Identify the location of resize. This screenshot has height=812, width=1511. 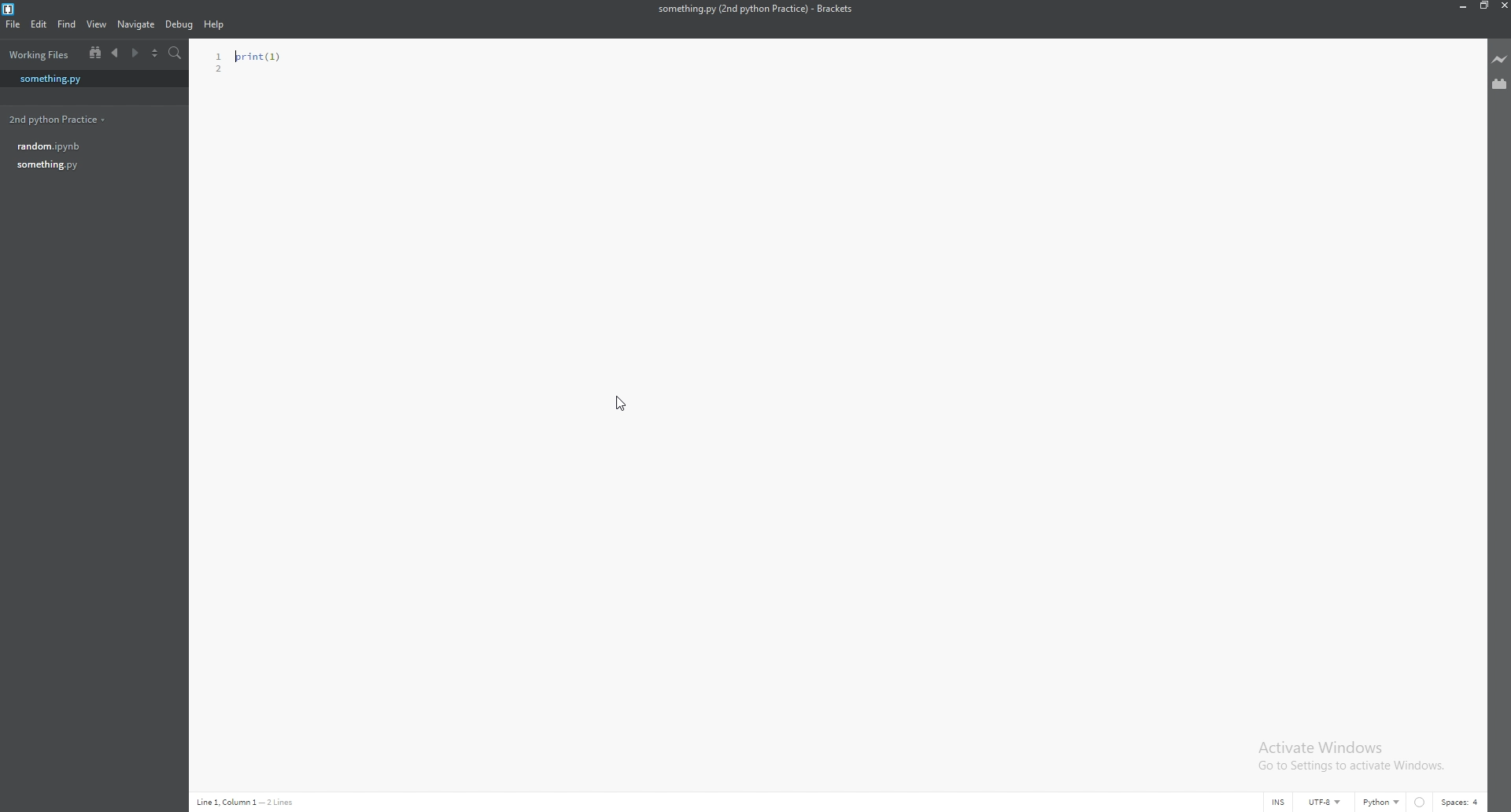
(1483, 6).